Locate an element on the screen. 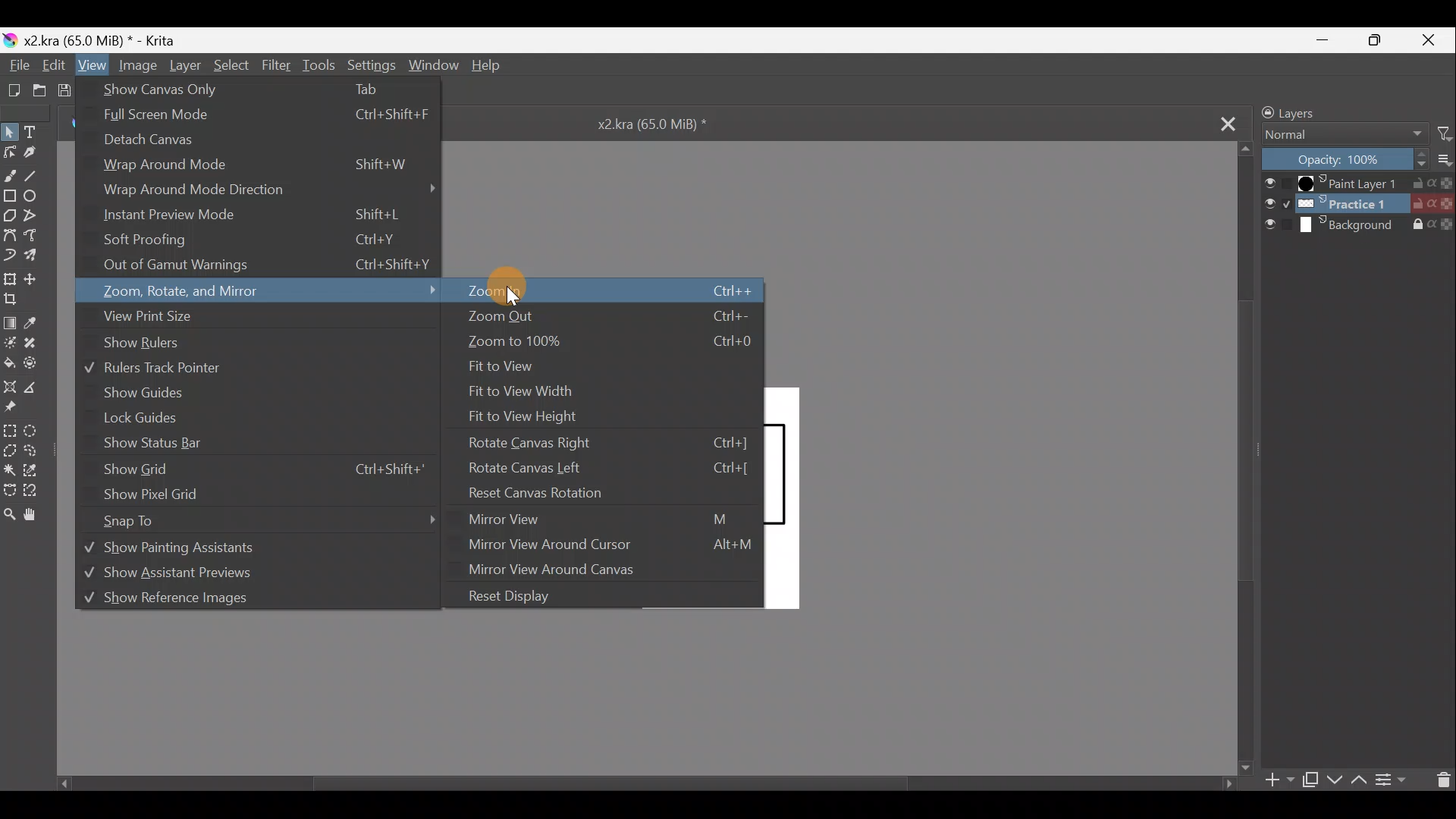  Elliptical selection tool is located at coordinates (33, 434).